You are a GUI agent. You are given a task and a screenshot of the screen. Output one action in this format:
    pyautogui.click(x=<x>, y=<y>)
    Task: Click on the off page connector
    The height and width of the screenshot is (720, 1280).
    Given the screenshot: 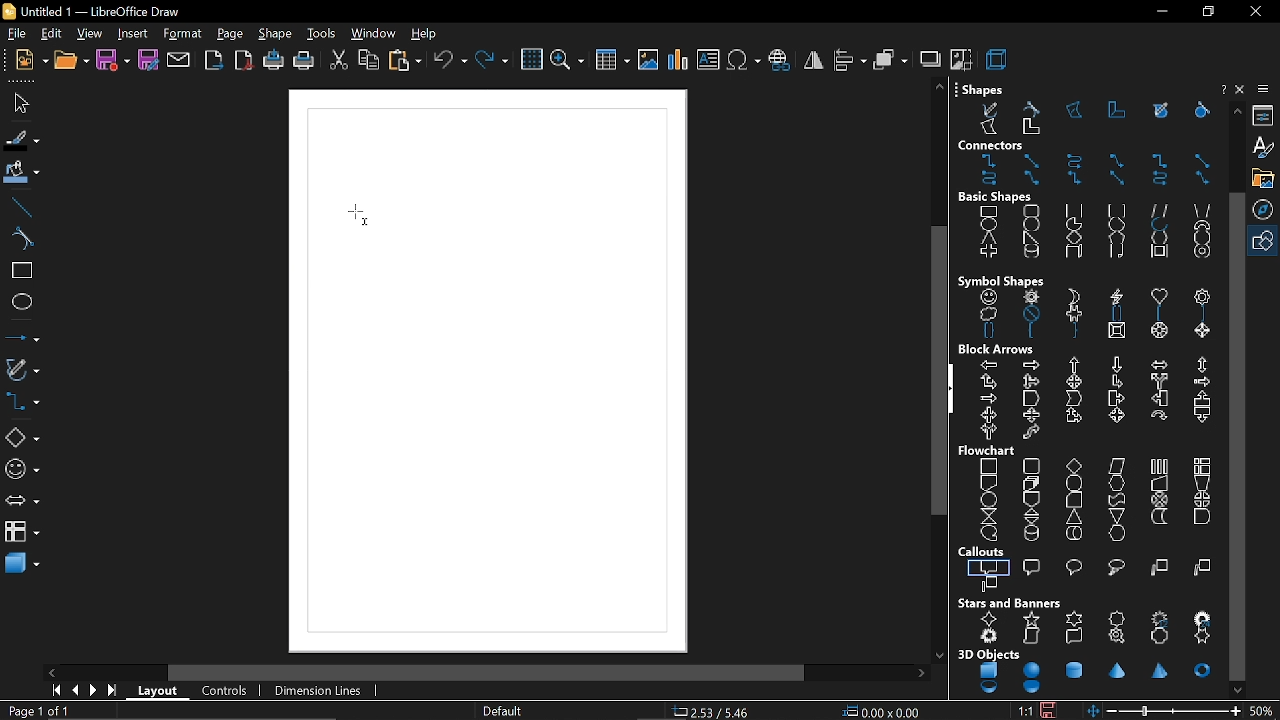 What is the action you would take?
    pyautogui.click(x=1029, y=499)
    